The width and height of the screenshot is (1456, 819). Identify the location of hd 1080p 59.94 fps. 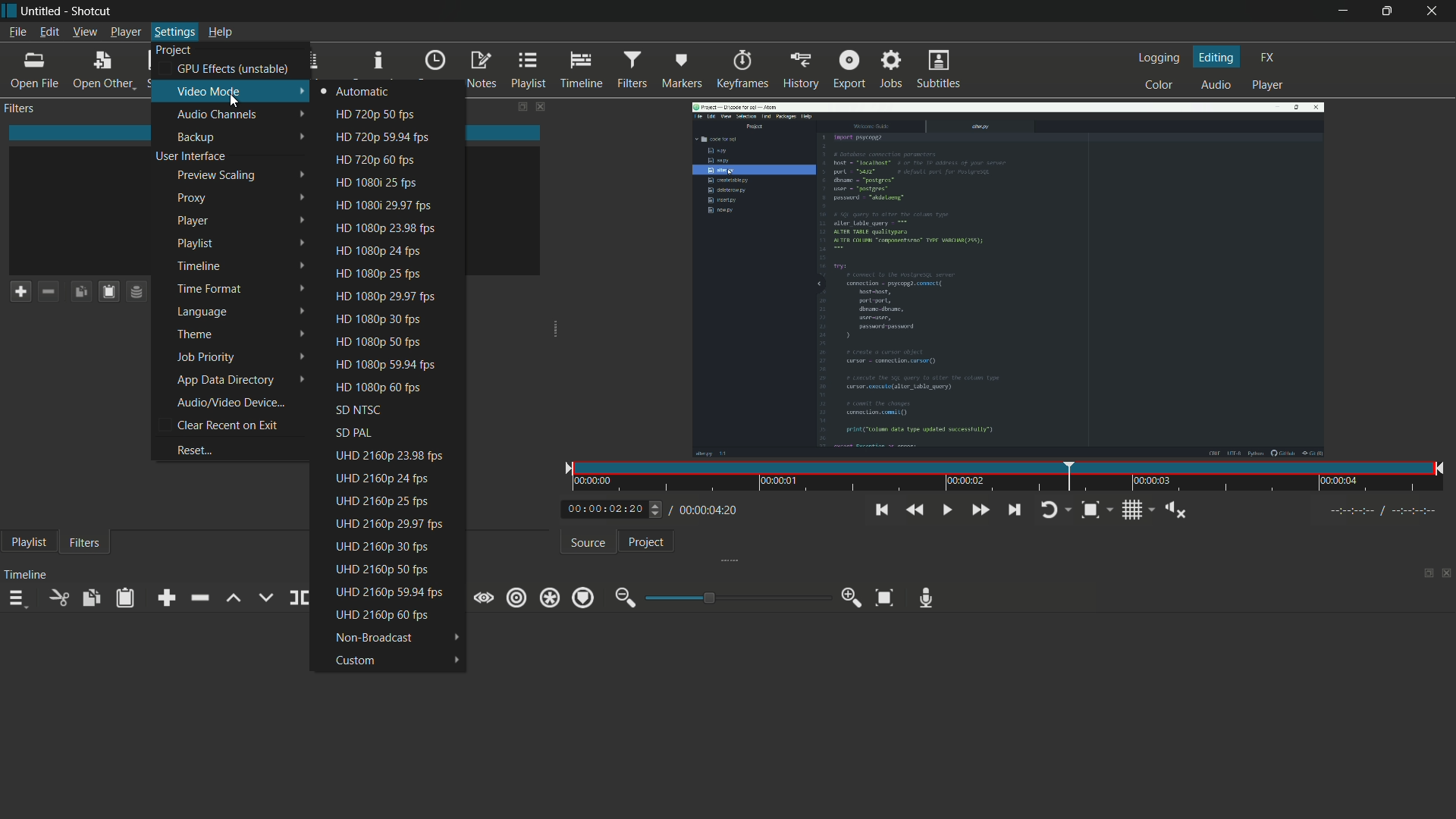
(392, 364).